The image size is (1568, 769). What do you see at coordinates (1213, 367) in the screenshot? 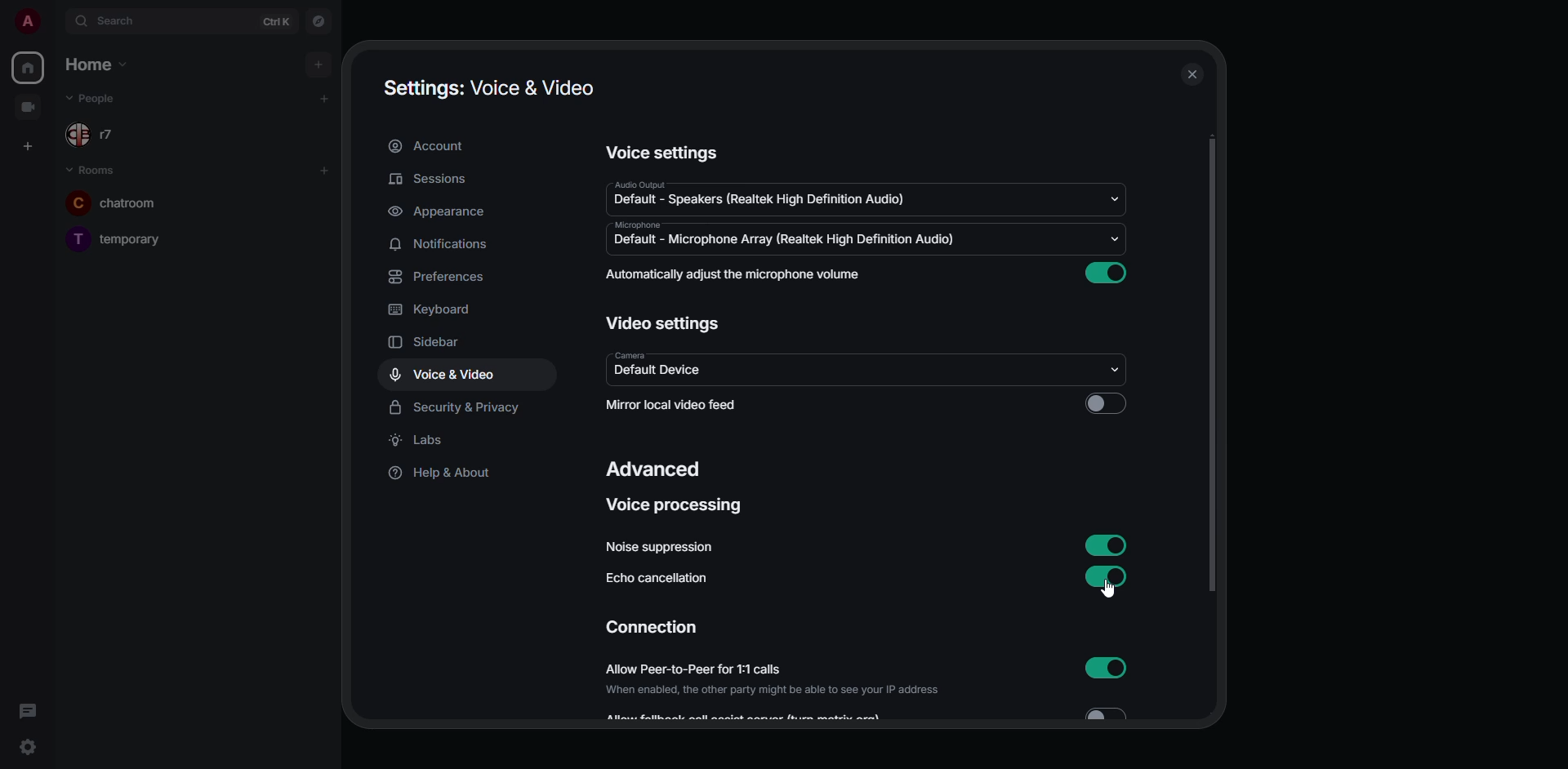
I see `scroll bar` at bounding box center [1213, 367].